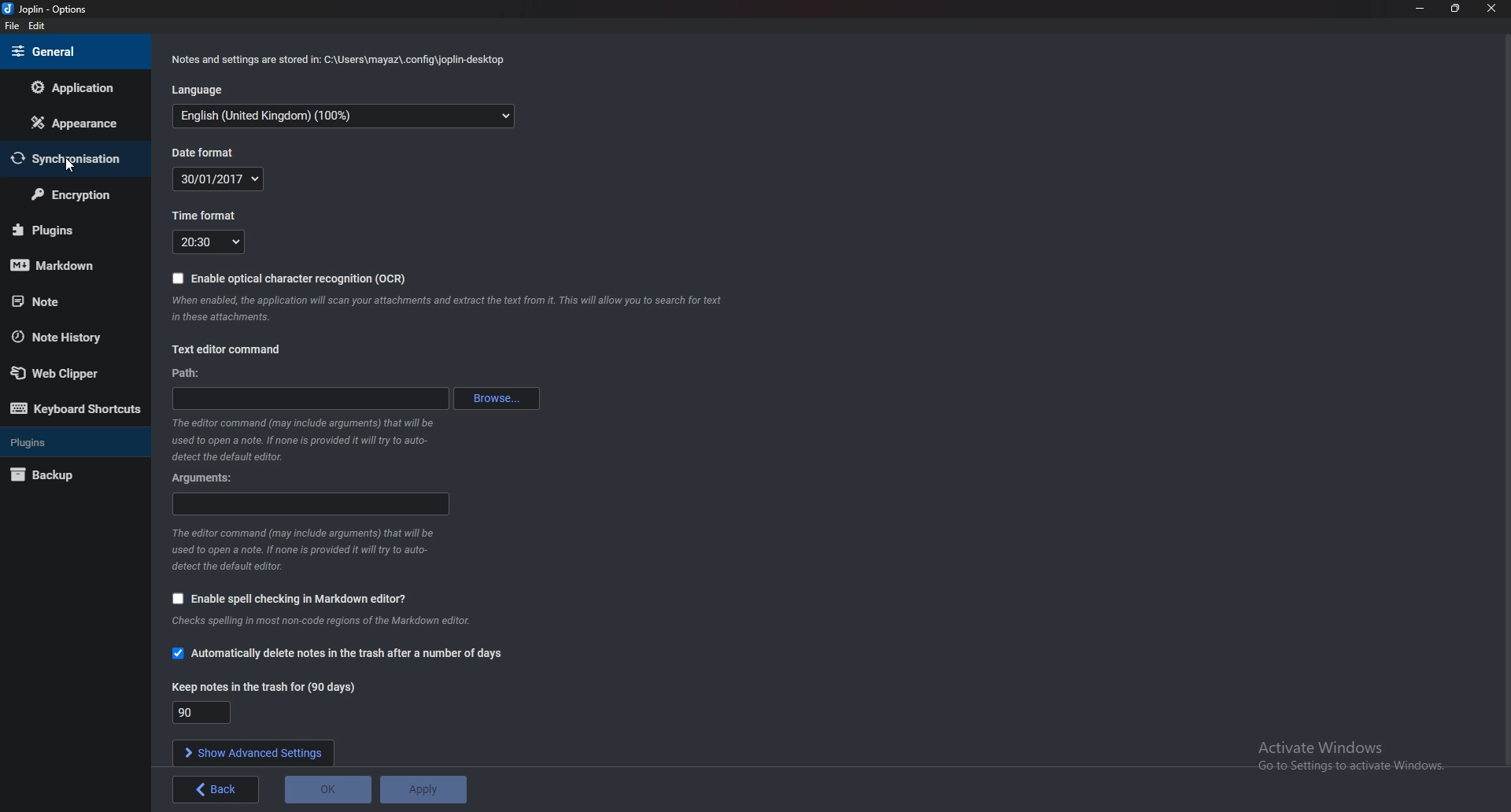 Image resolution: width=1511 pixels, height=812 pixels. What do you see at coordinates (294, 598) in the screenshot?
I see `Enable spell checking in Markdown editor` at bounding box center [294, 598].